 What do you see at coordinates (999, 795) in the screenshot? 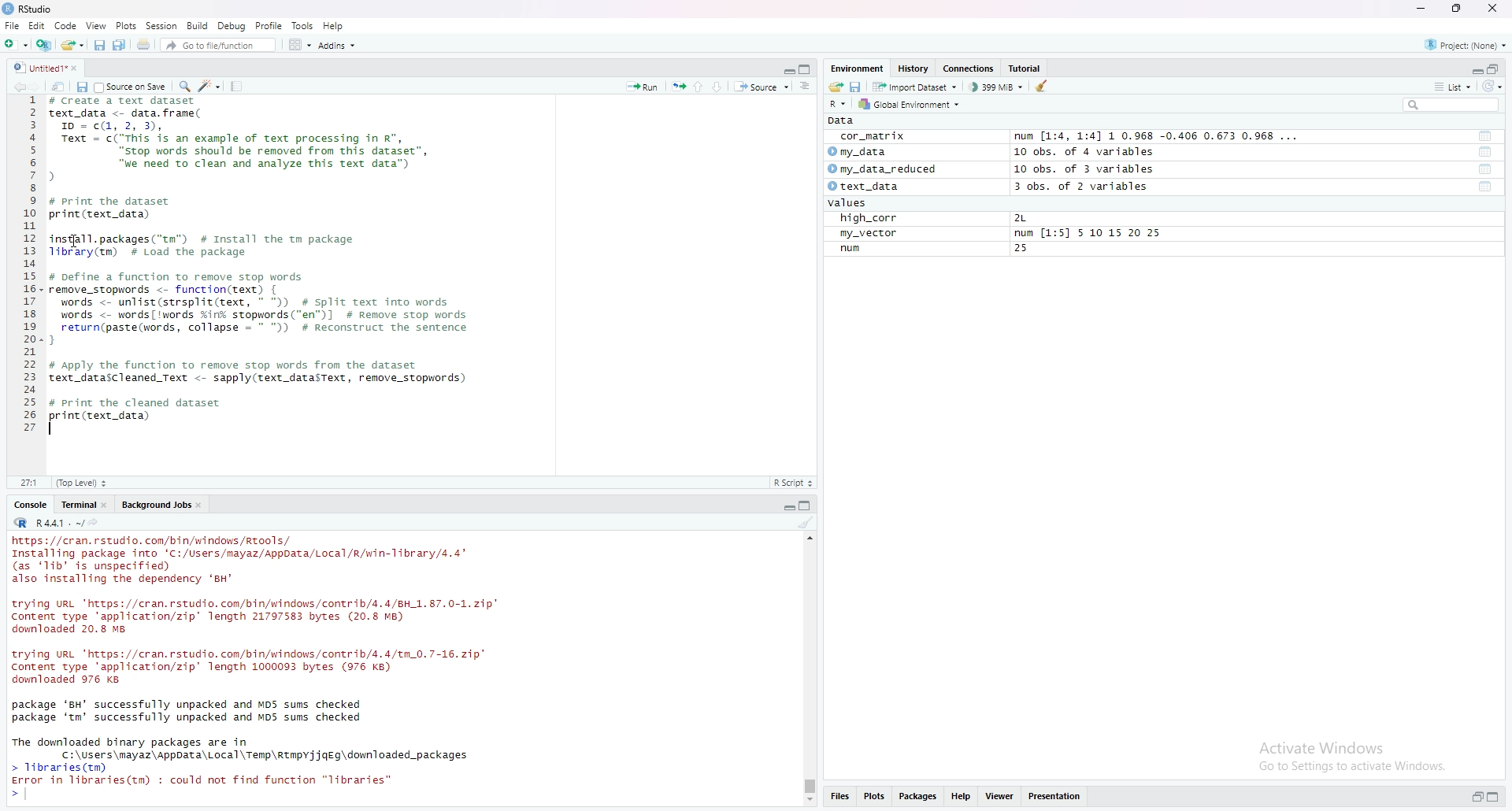
I see `viewer` at bounding box center [999, 795].